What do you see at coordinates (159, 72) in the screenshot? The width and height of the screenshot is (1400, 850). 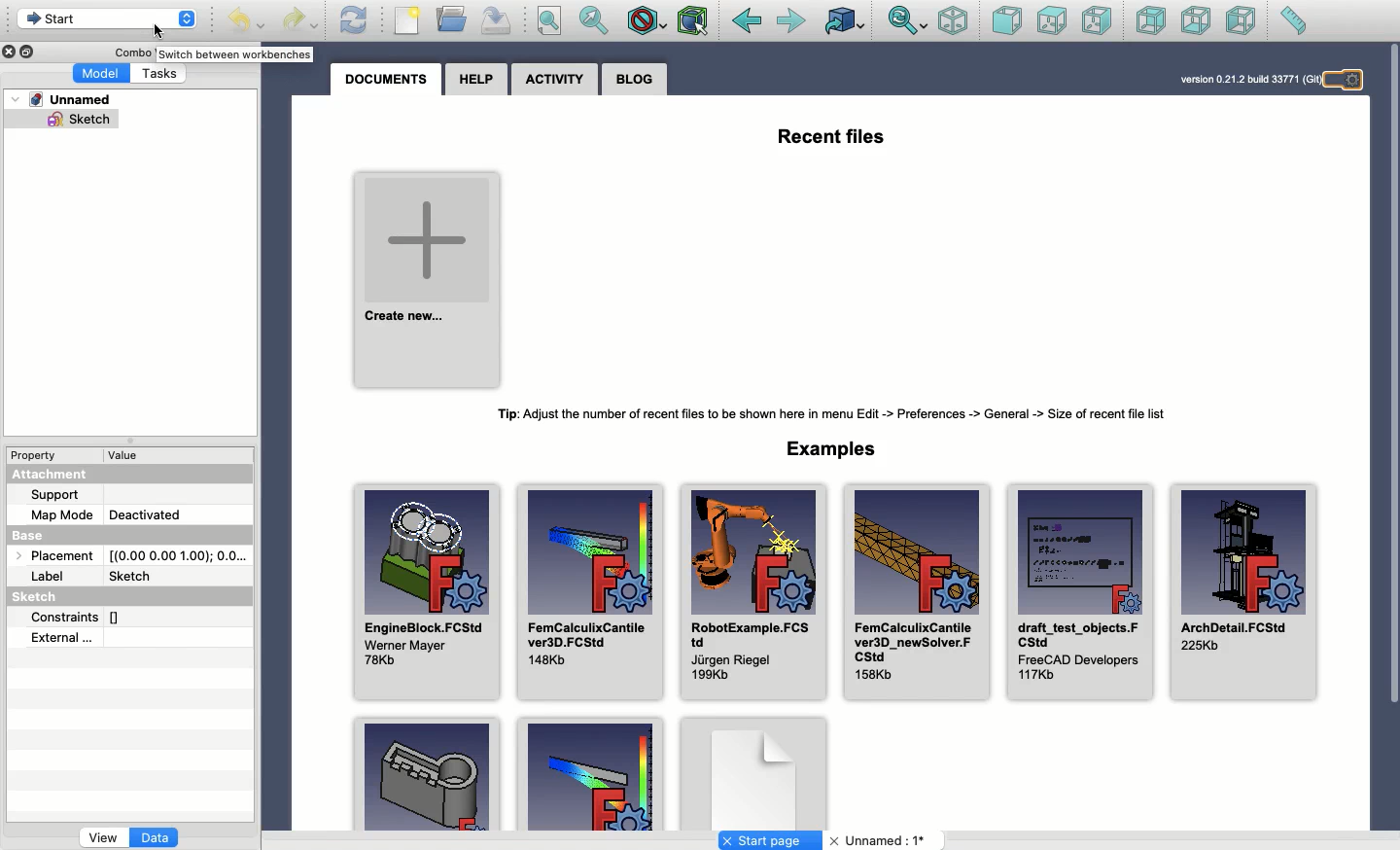 I see `Tasks` at bounding box center [159, 72].